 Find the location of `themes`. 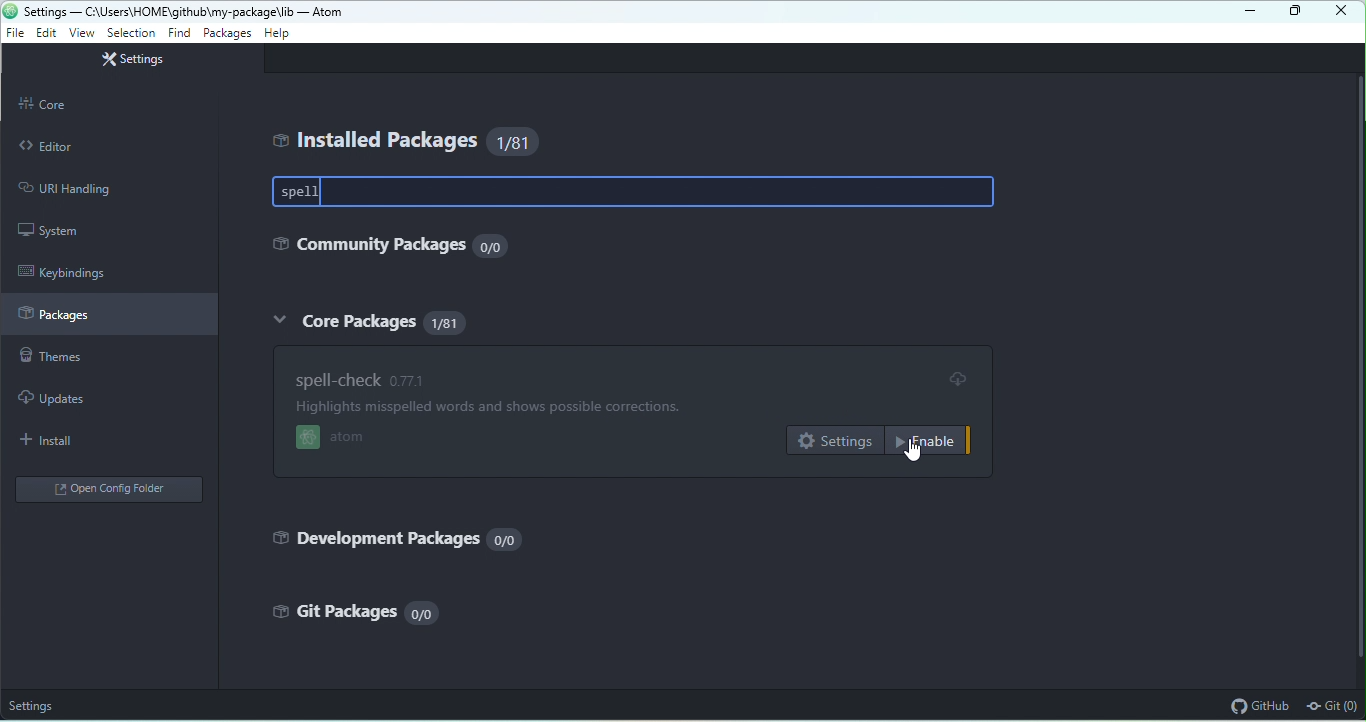

themes is located at coordinates (72, 357).